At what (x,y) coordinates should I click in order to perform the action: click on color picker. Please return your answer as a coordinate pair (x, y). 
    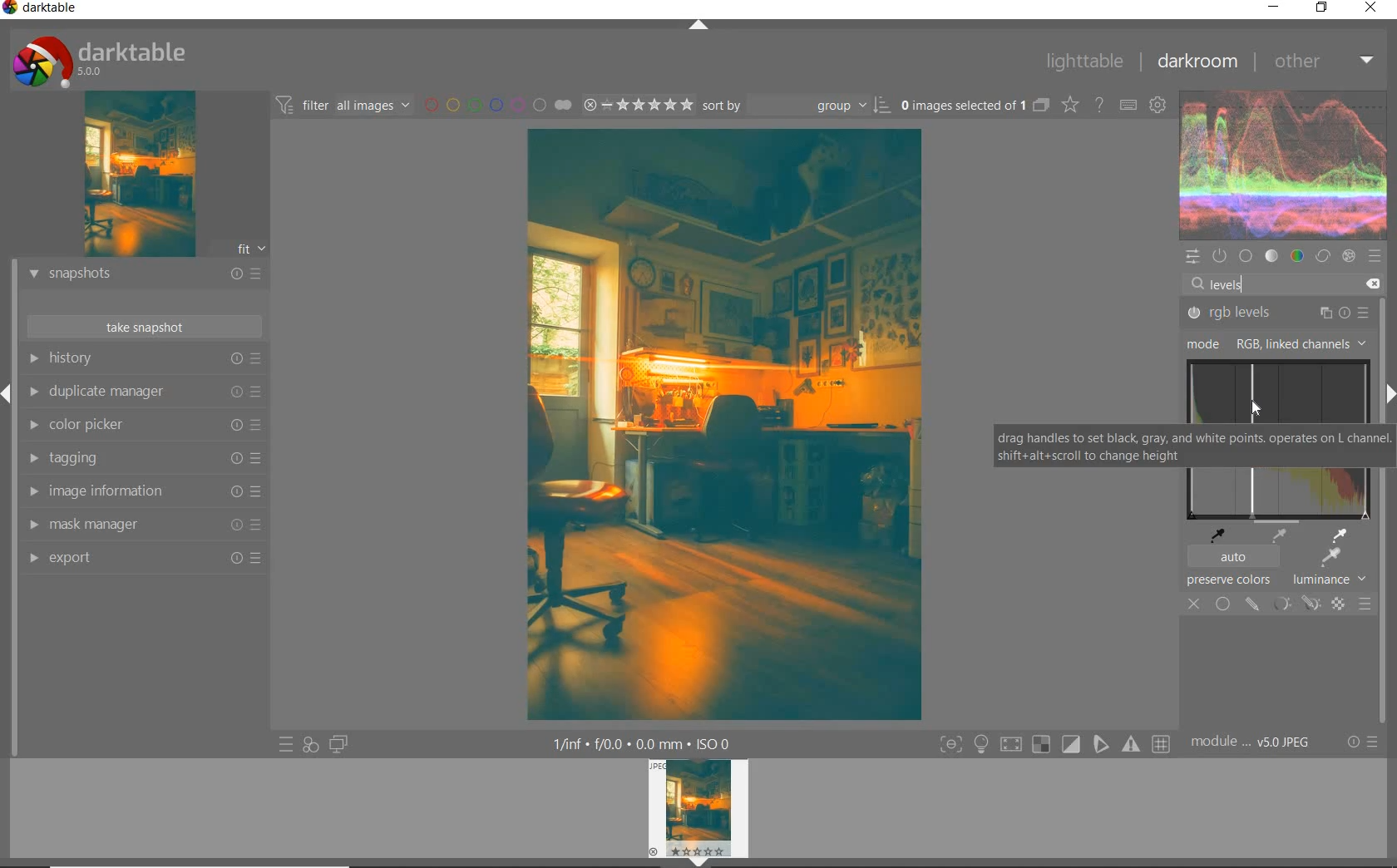
    Looking at the image, I should click on (141, 424).